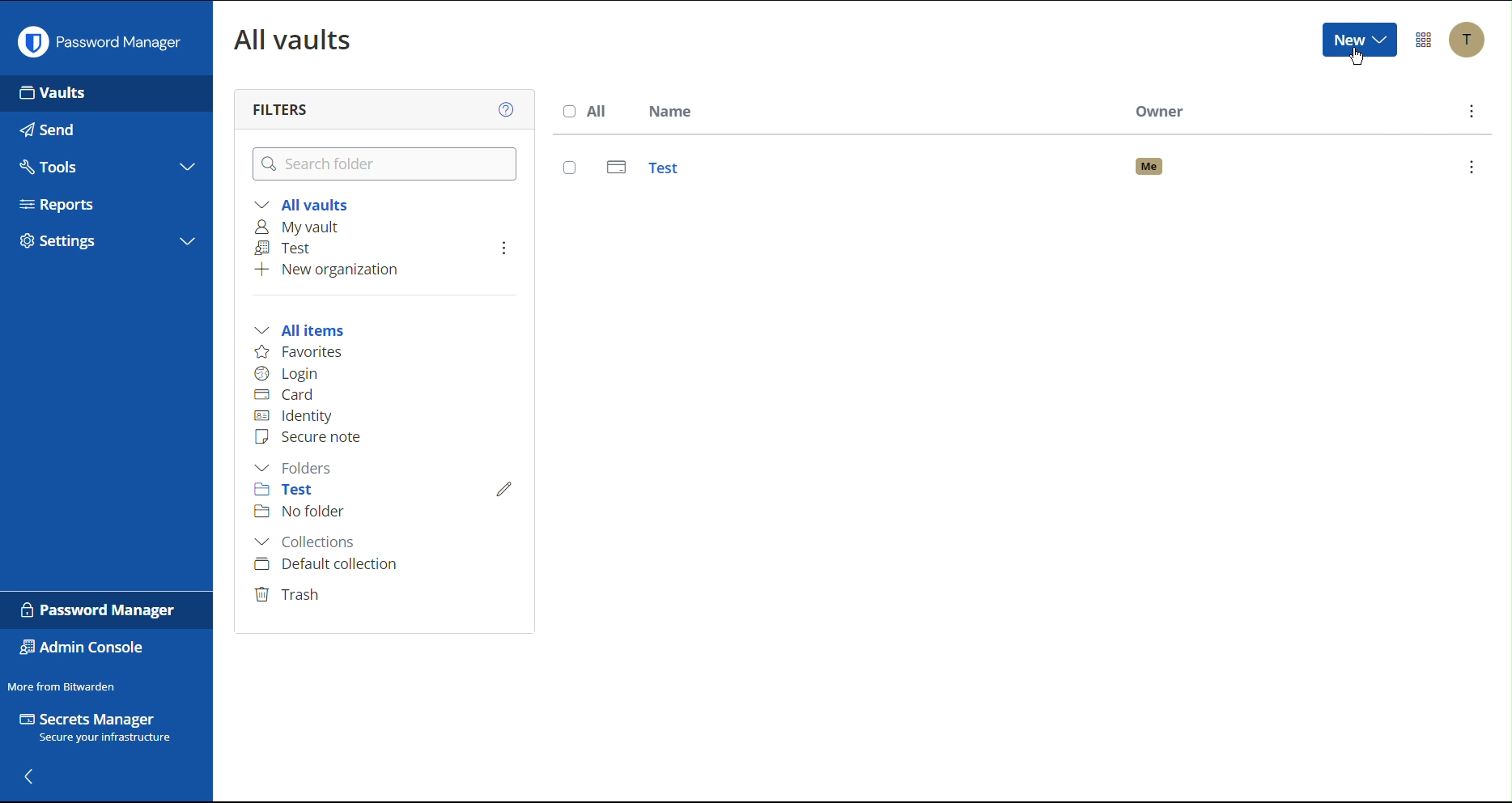 The image size is (1512, 803). What do you see at coordinates (104, 243) in the screenshot?
I see `Settings` at bounding box center [104, 243].